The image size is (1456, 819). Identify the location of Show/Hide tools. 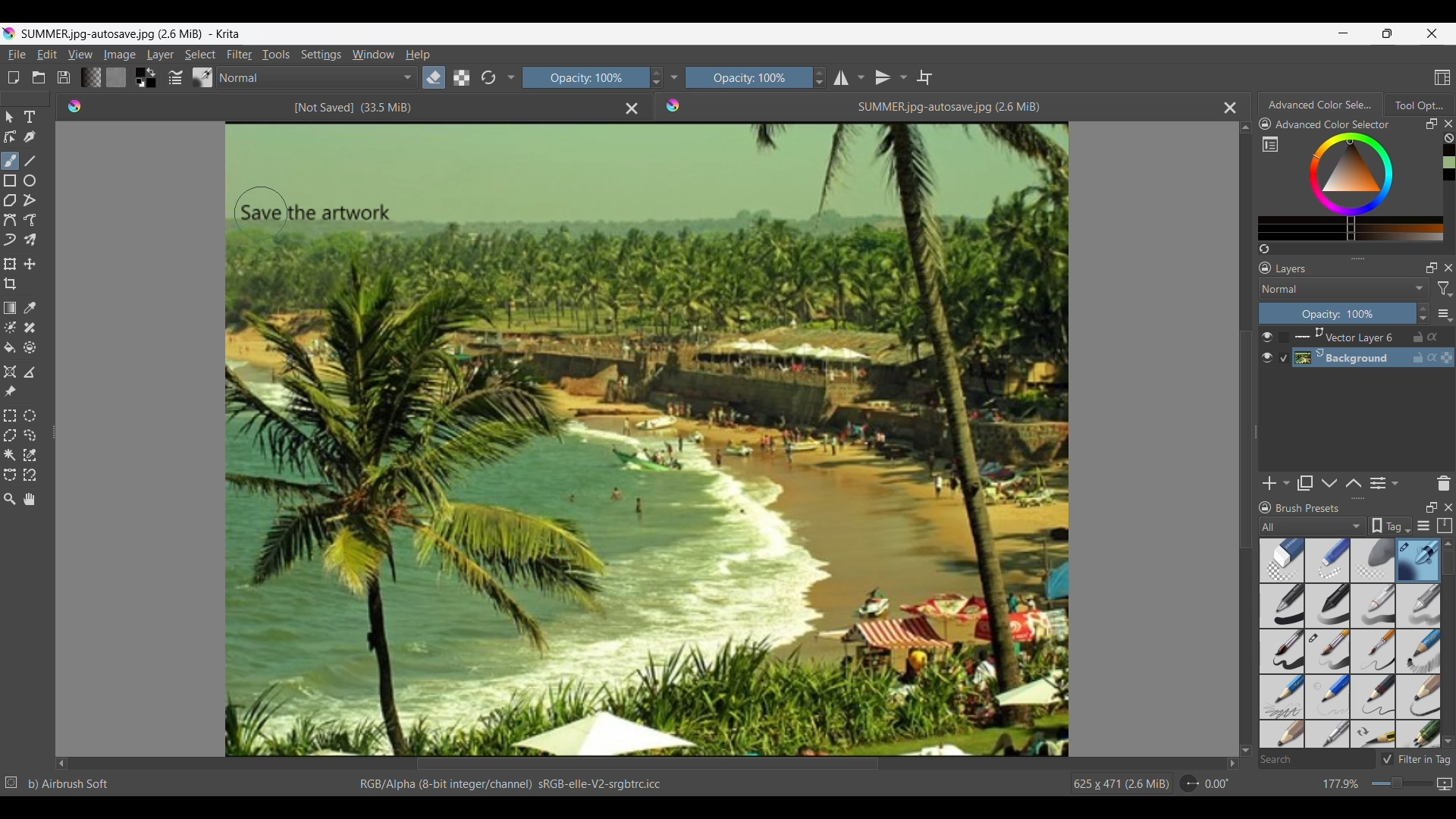
(512, 78).